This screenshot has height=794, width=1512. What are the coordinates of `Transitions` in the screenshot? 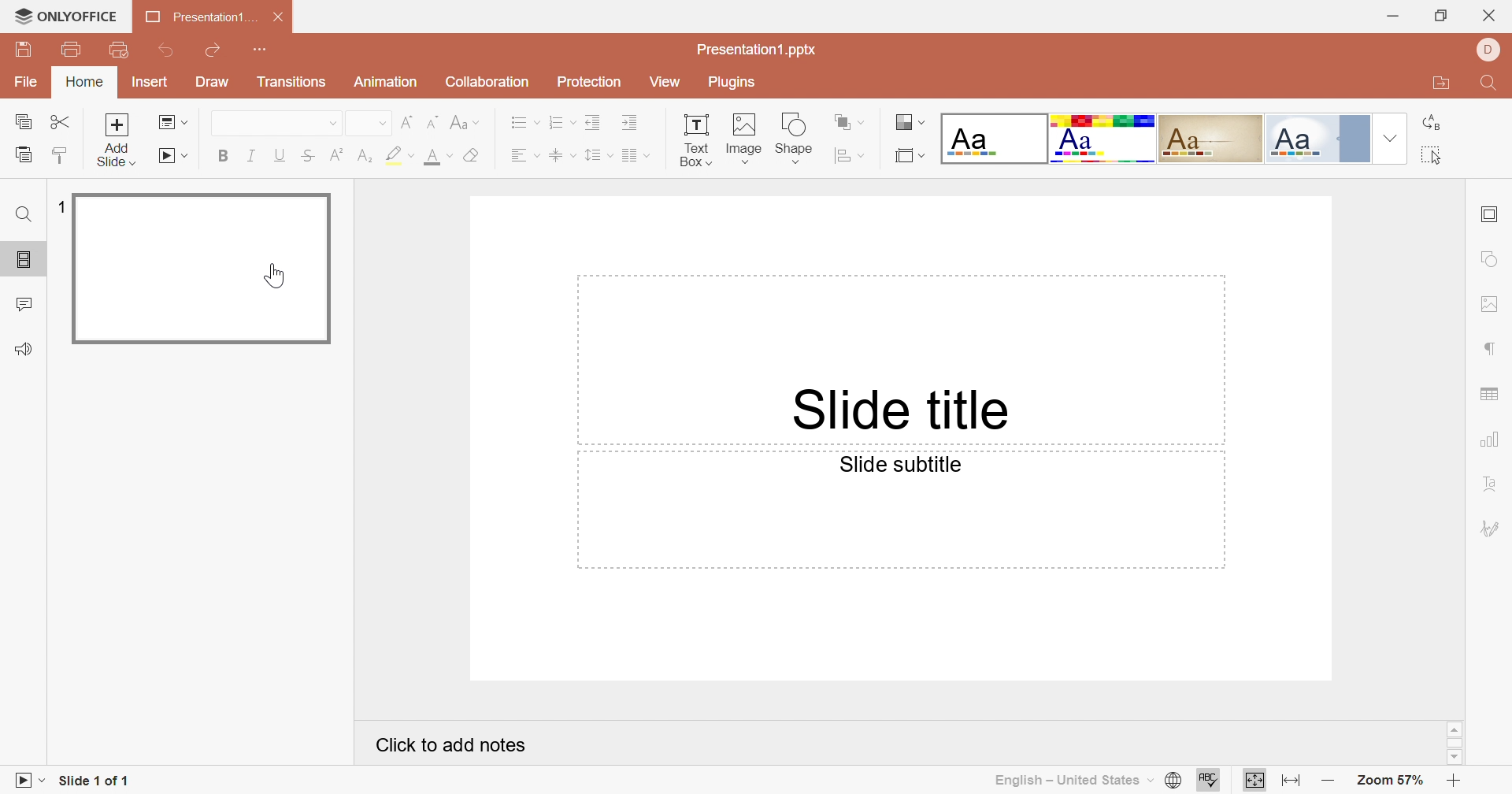 It's located at (294, 83).